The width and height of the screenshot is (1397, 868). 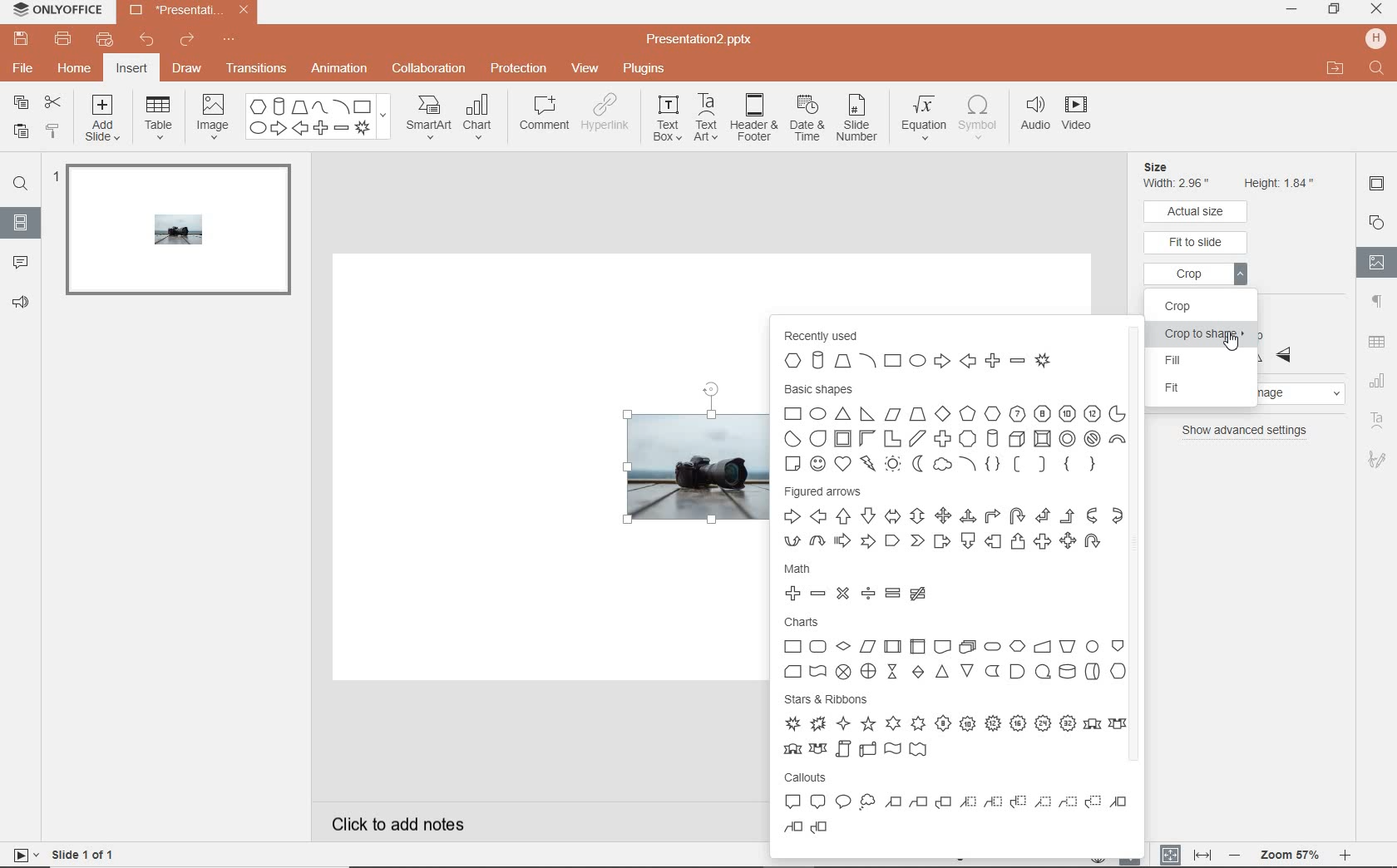 What do you see at coordinates (755, 122) in the screenshot?
I see `header & footer` at bounding box center [755, 122].